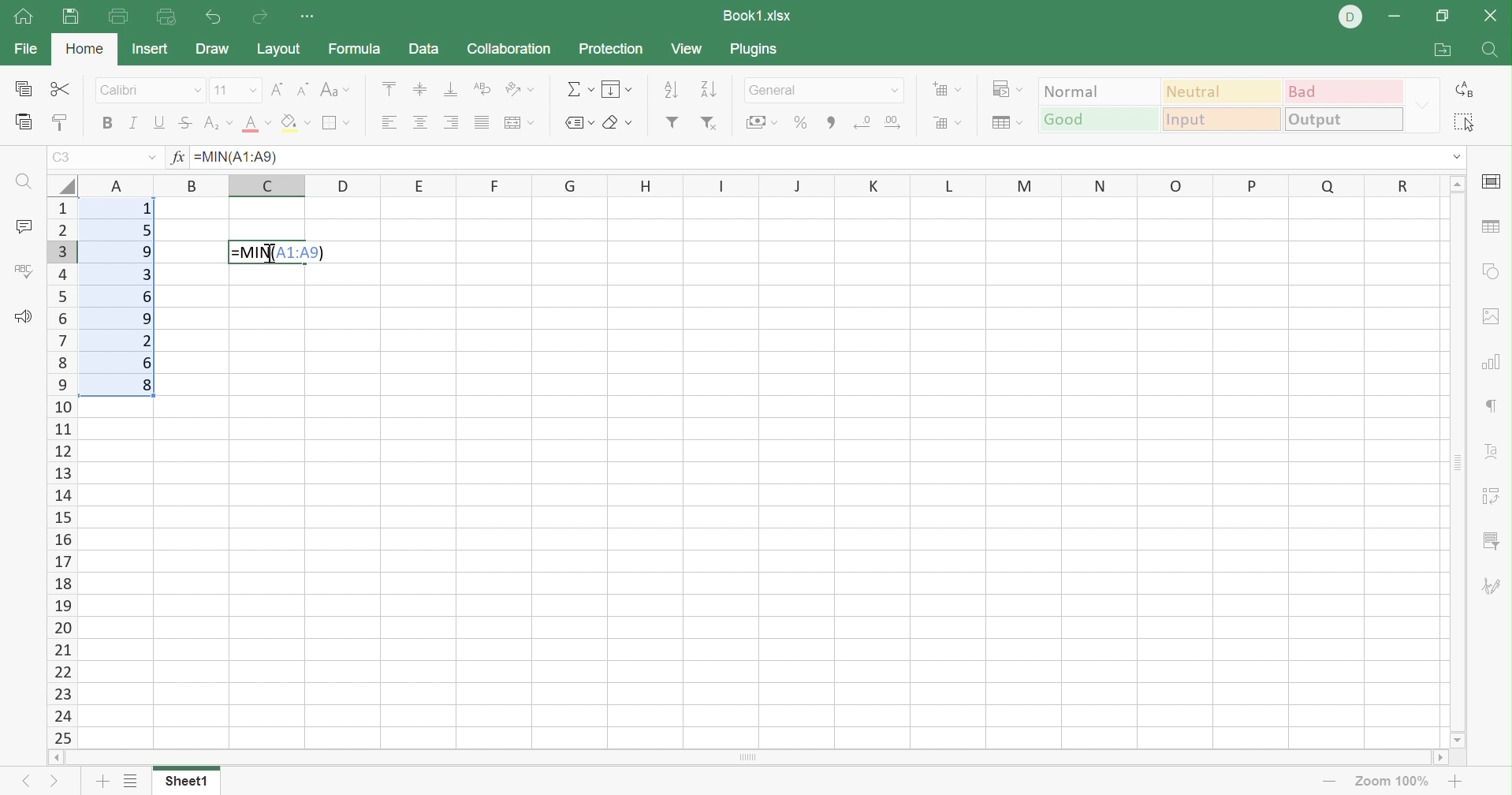 Image resolution: width=1512 pixels, height=795 pixels. I want to click on Increase decimal, so click(896, 120).